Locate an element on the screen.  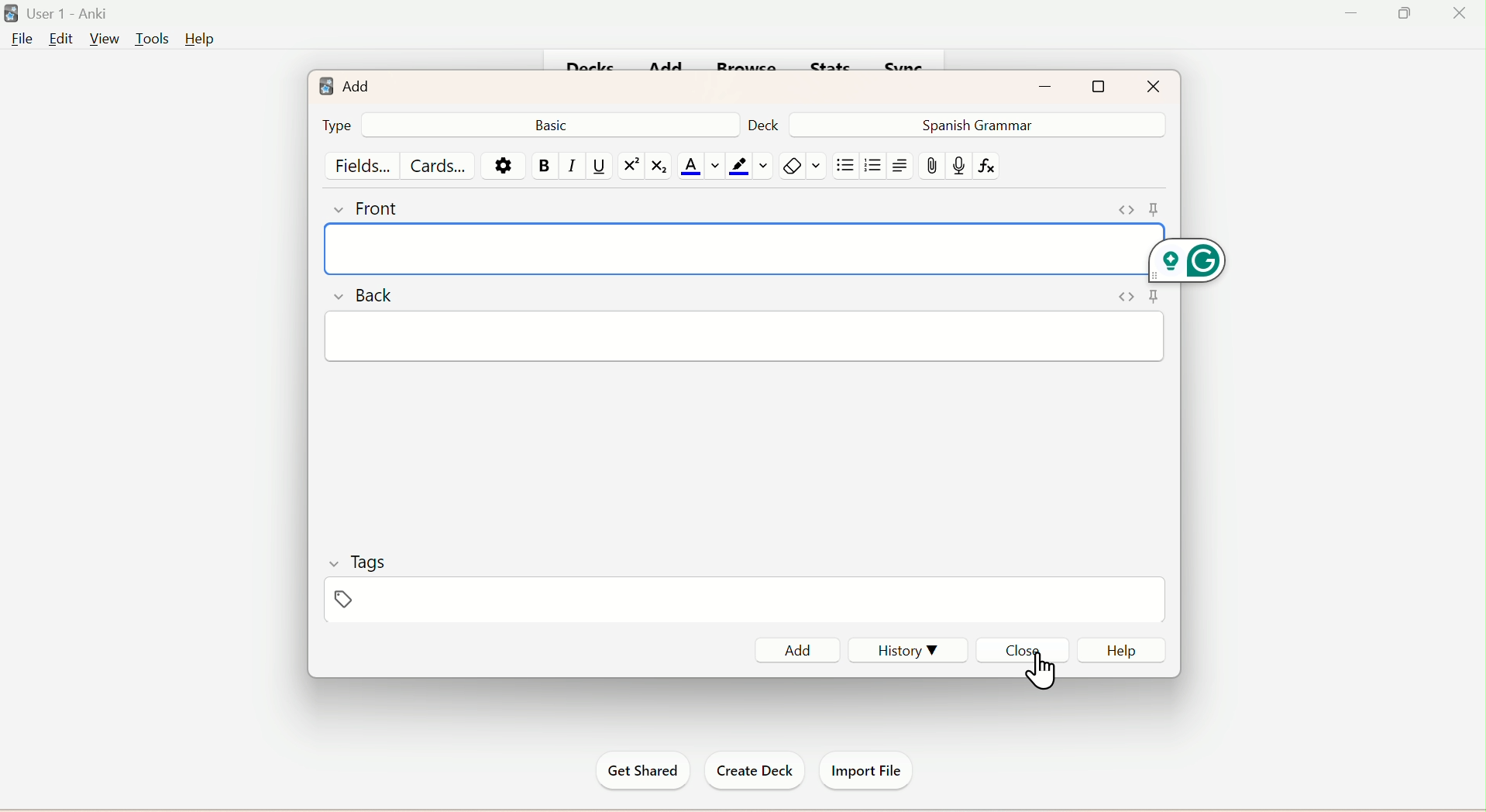
color is located at coordinates (747, 166).